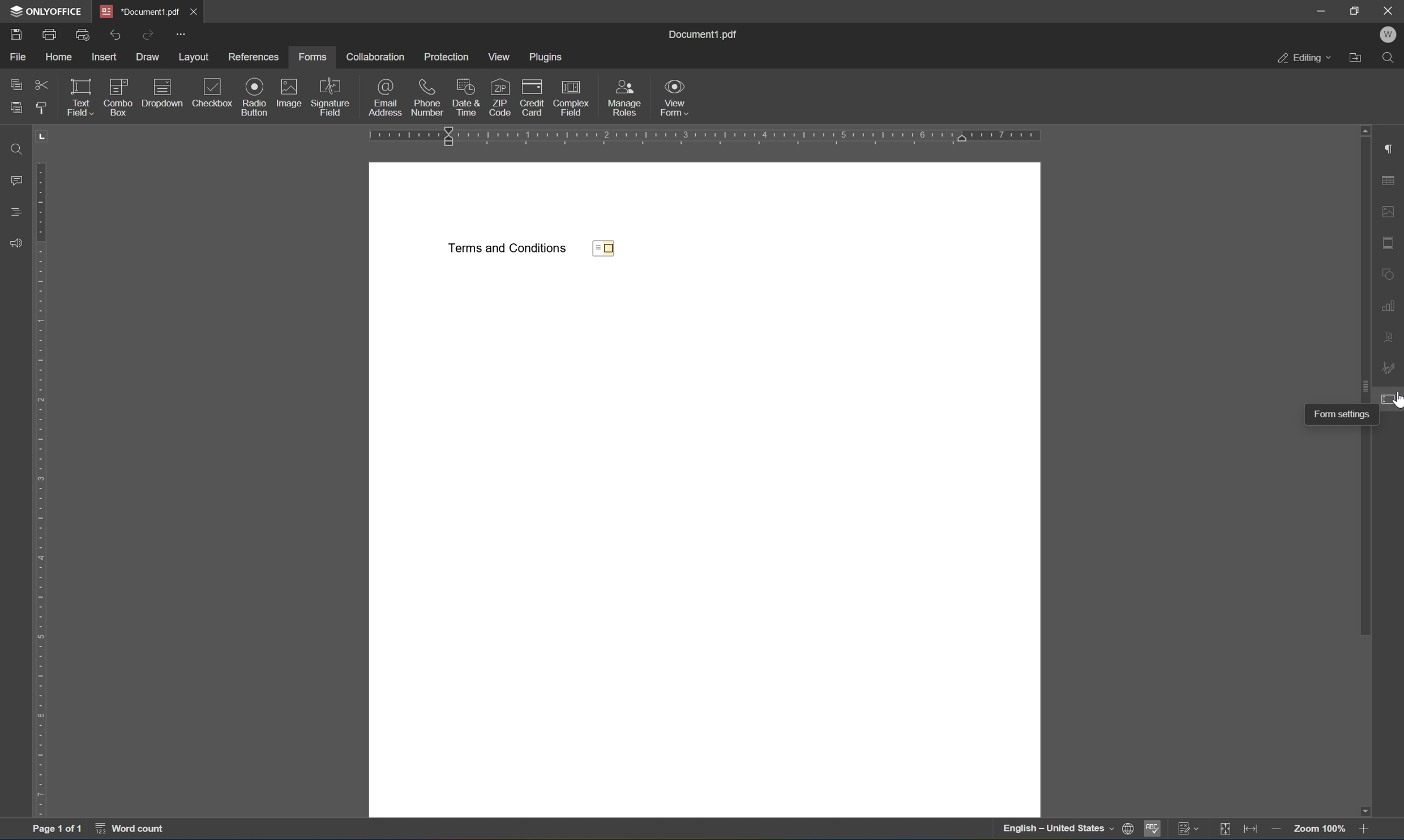  I want to click on header & footer settings, so click(1391, 245).